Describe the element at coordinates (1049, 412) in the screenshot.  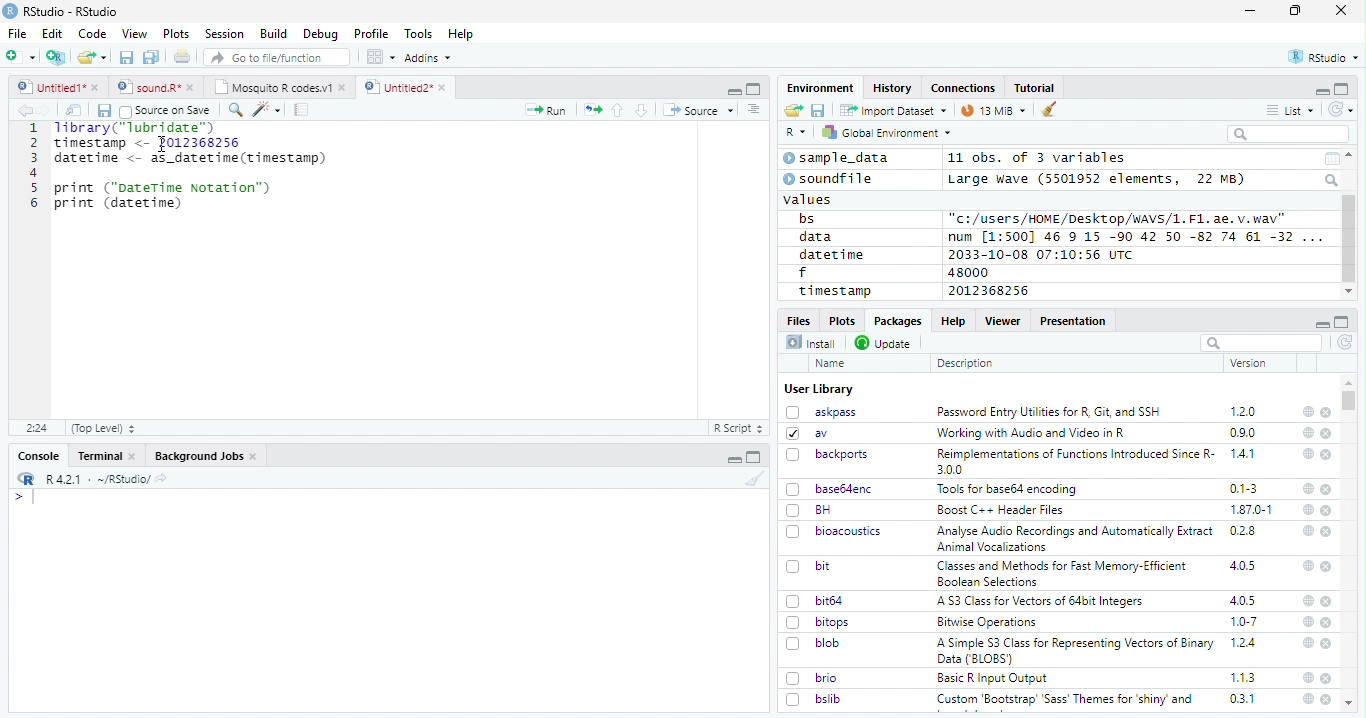
I see `Password Entry Utilities for R, Git, and SSH` at that location.